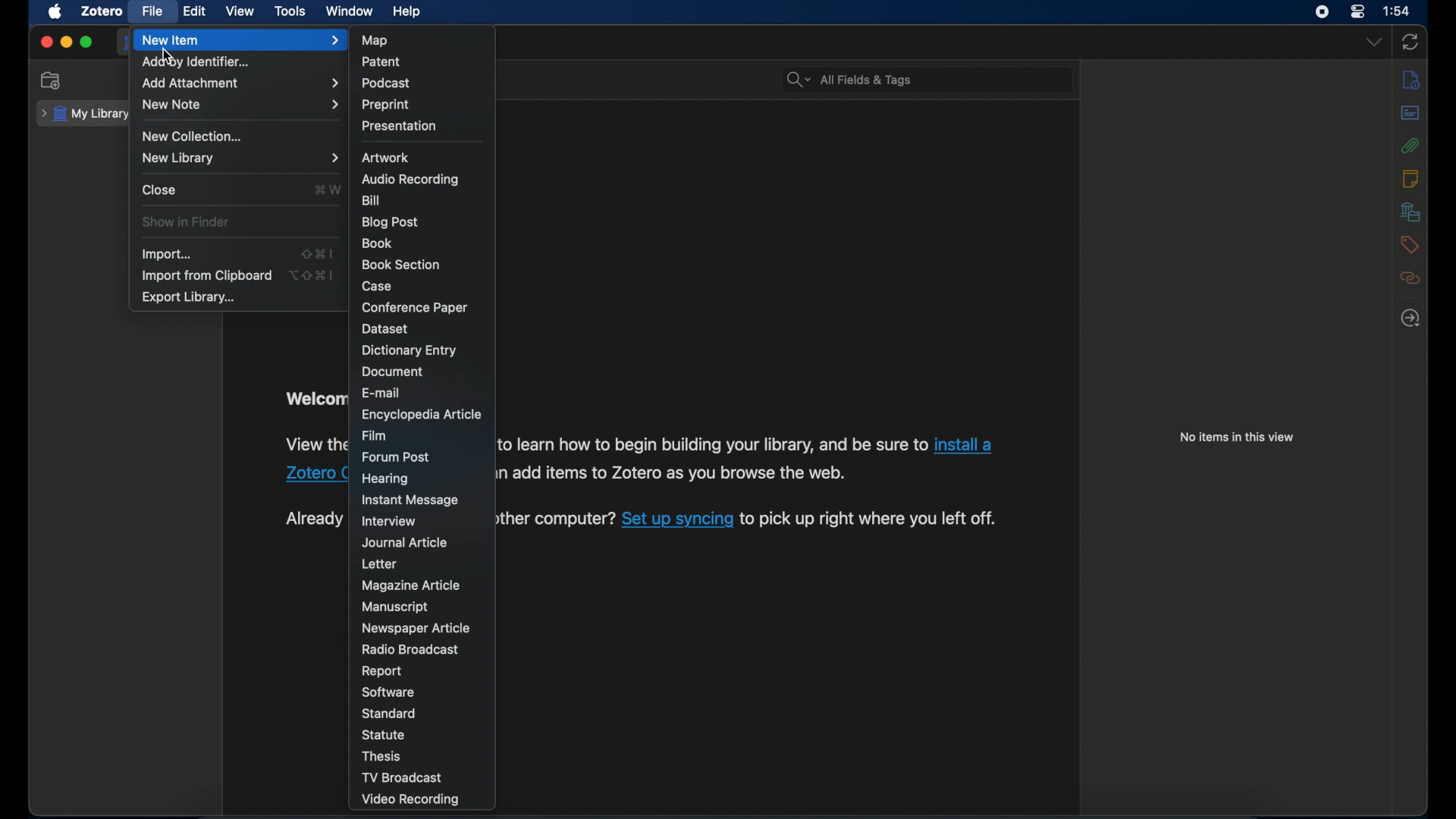  Describe the element at coordinates (240, 83) in the screenshot. I see `add attachment` at that location.